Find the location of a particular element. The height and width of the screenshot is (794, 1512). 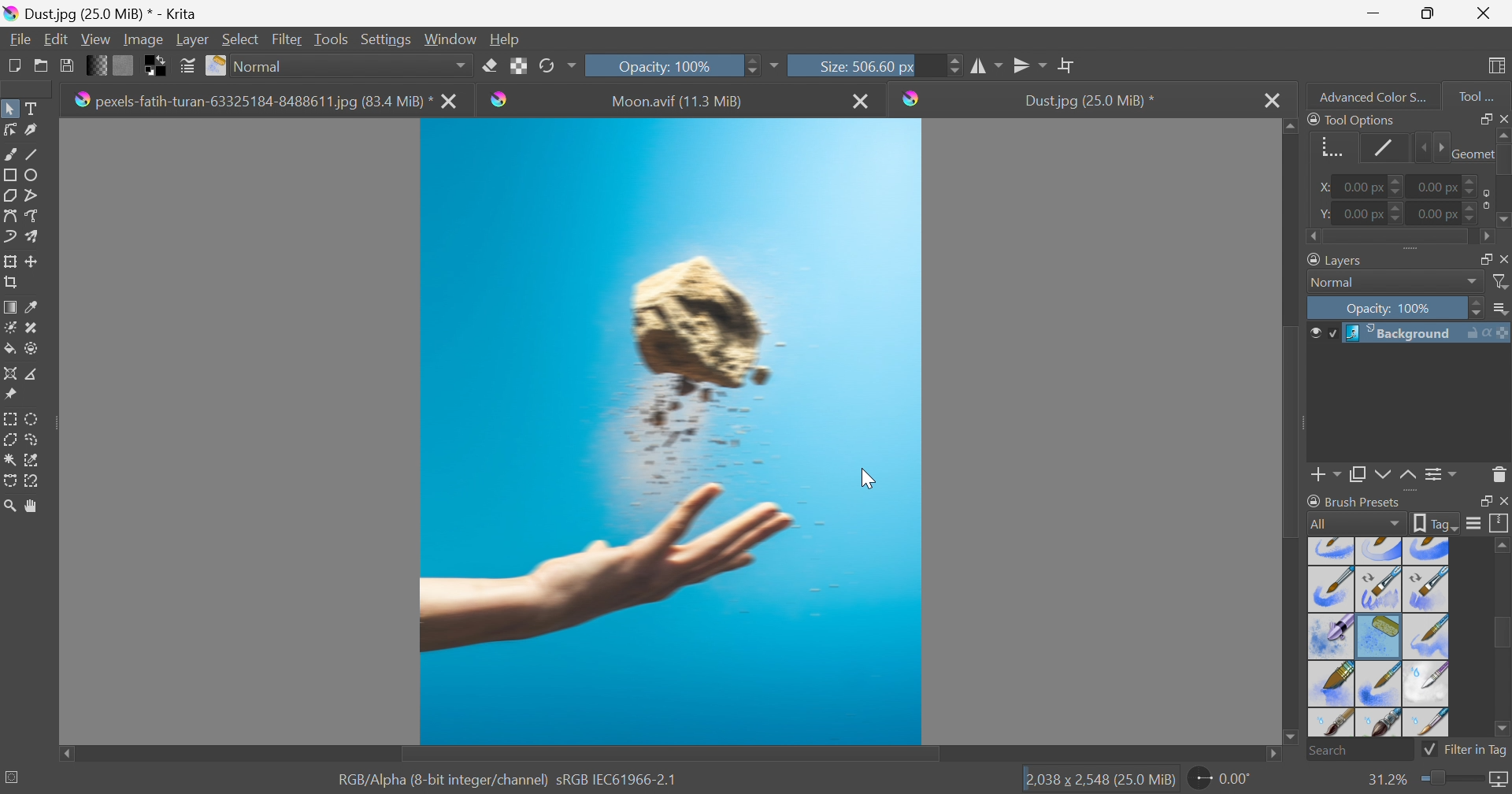

Endorse and fill tool is located at coordinates (31, 350).